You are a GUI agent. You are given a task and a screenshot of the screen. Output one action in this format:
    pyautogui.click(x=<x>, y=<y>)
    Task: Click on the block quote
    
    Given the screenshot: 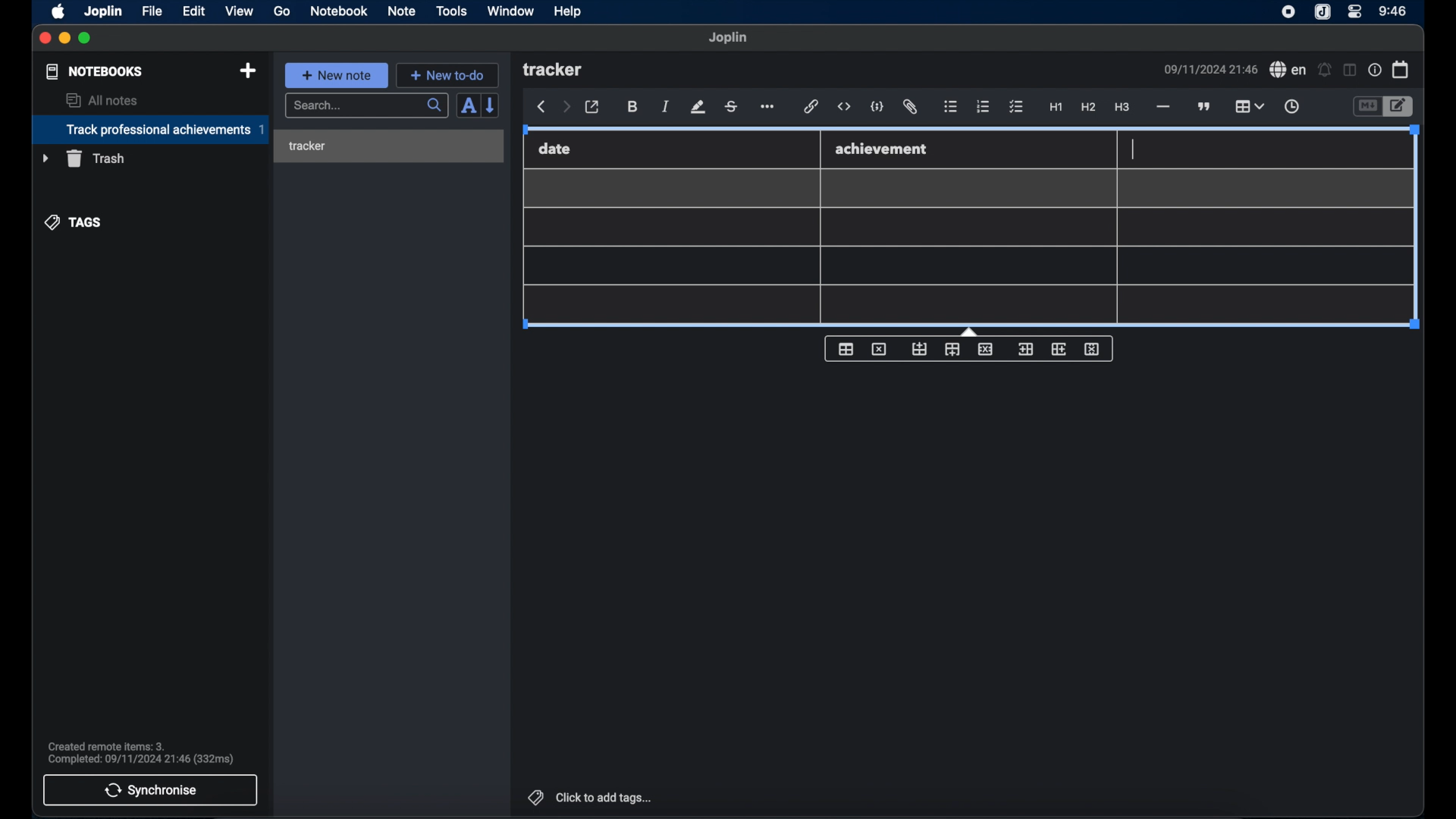 What is the action you would take?
    pyautogui.click(x=1205, y=106)
    